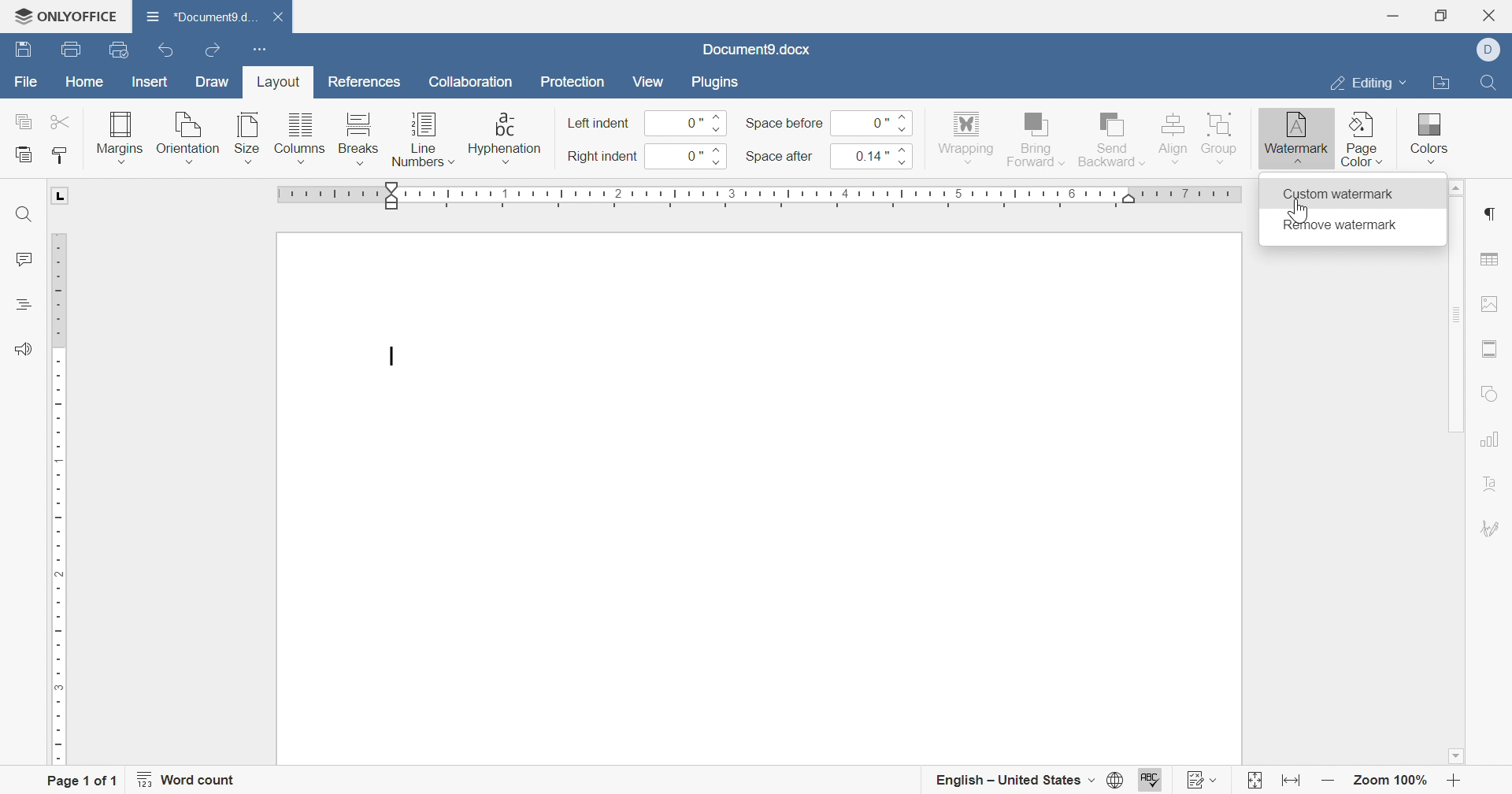  Describe the element at coordinates (20, 50) in the screenshot. I see `save` at that location.